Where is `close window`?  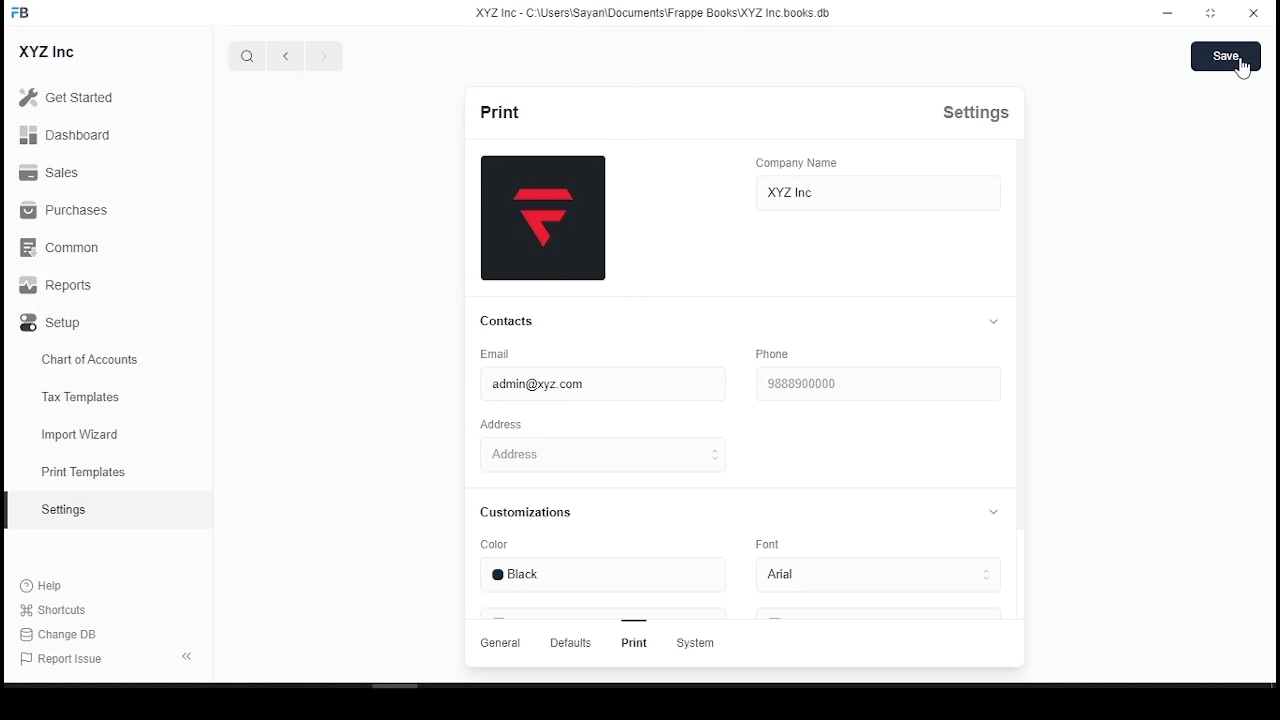
close window is located at coordinates (1252, 14).